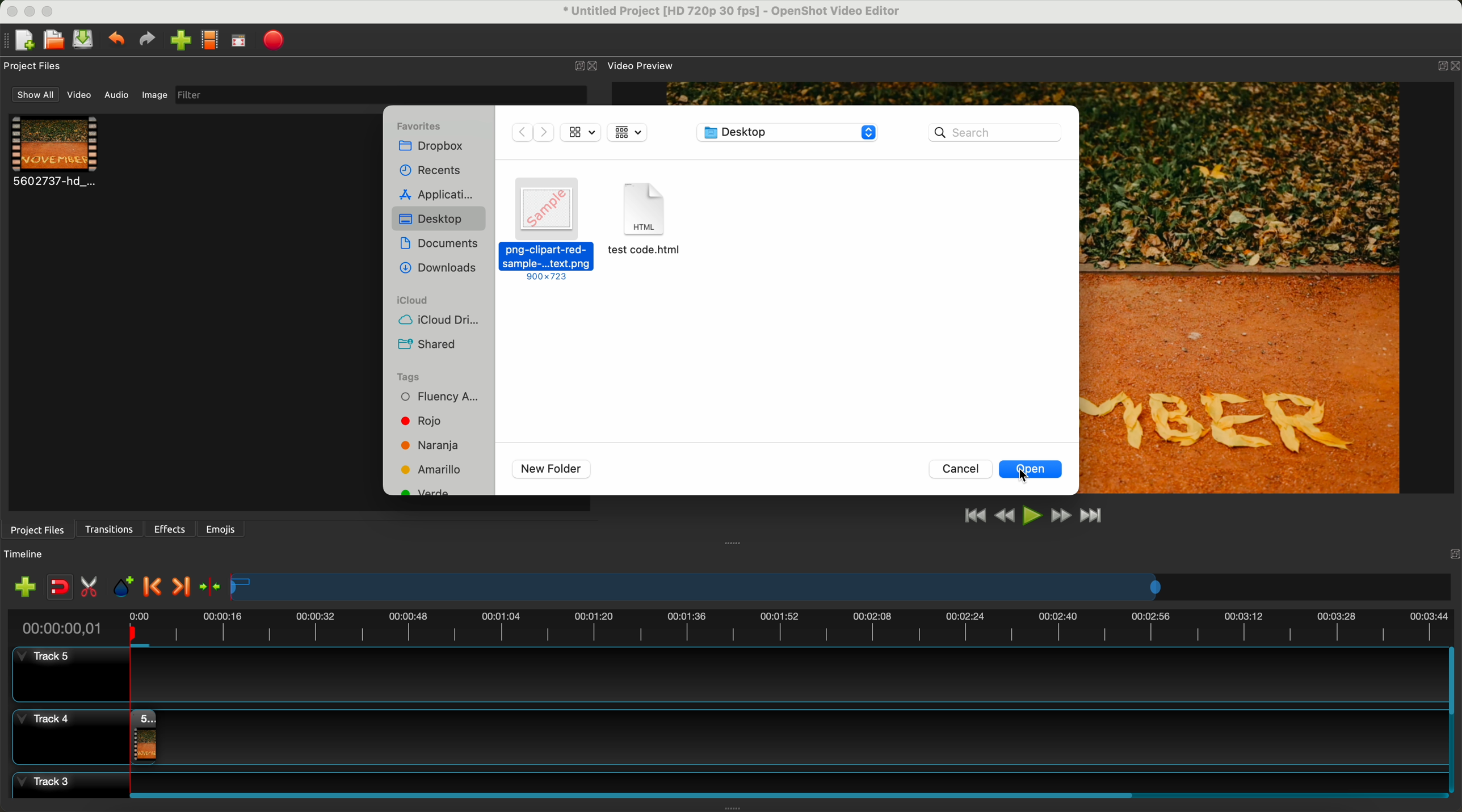  Describe the element at coordinates (432, 170) in the screenshot. I see `recents` at that location.